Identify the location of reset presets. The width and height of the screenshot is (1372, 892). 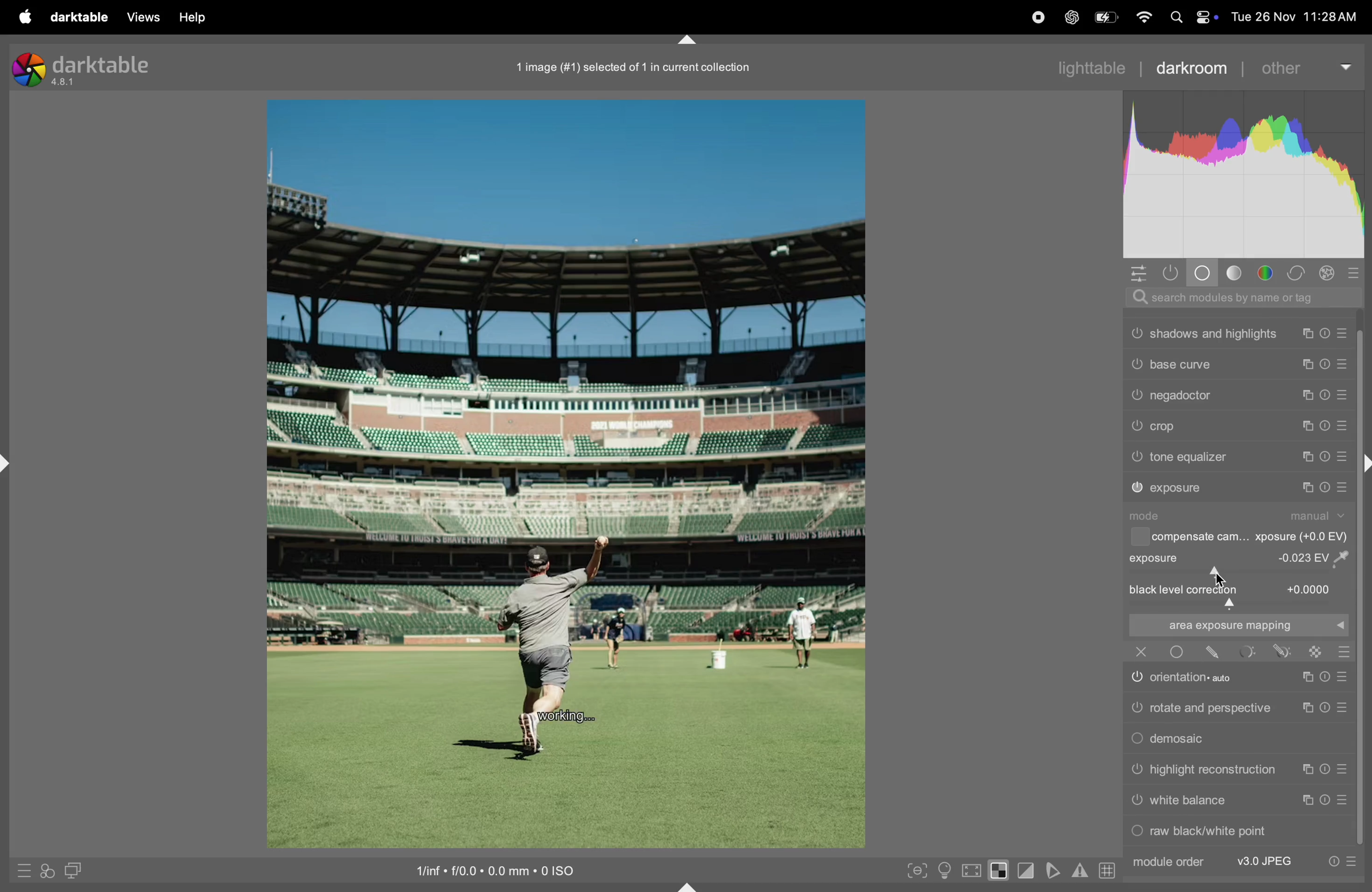
(1325, 366).